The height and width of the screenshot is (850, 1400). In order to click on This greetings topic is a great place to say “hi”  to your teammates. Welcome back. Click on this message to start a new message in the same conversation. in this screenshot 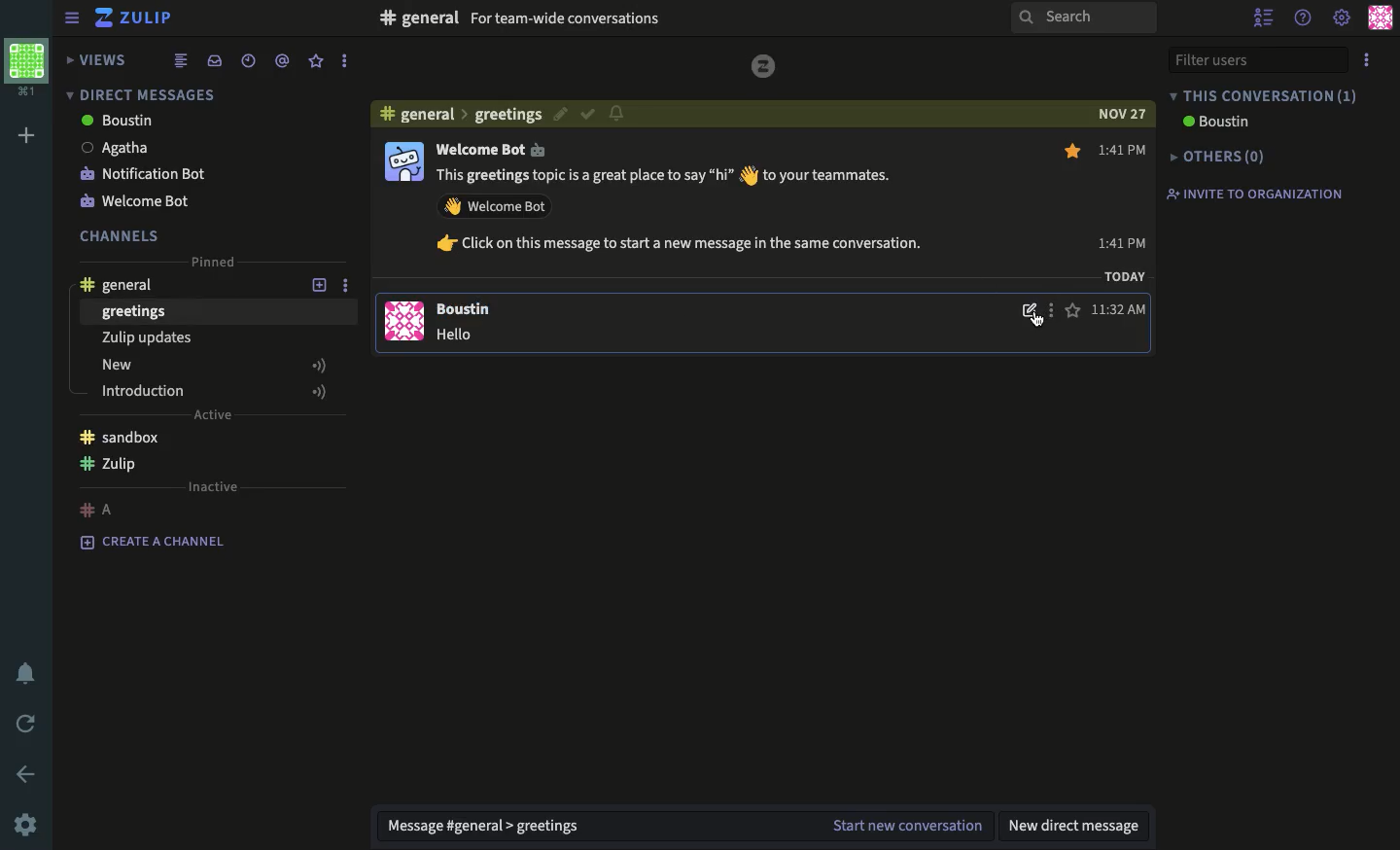, I will do `click(698, 217)`.